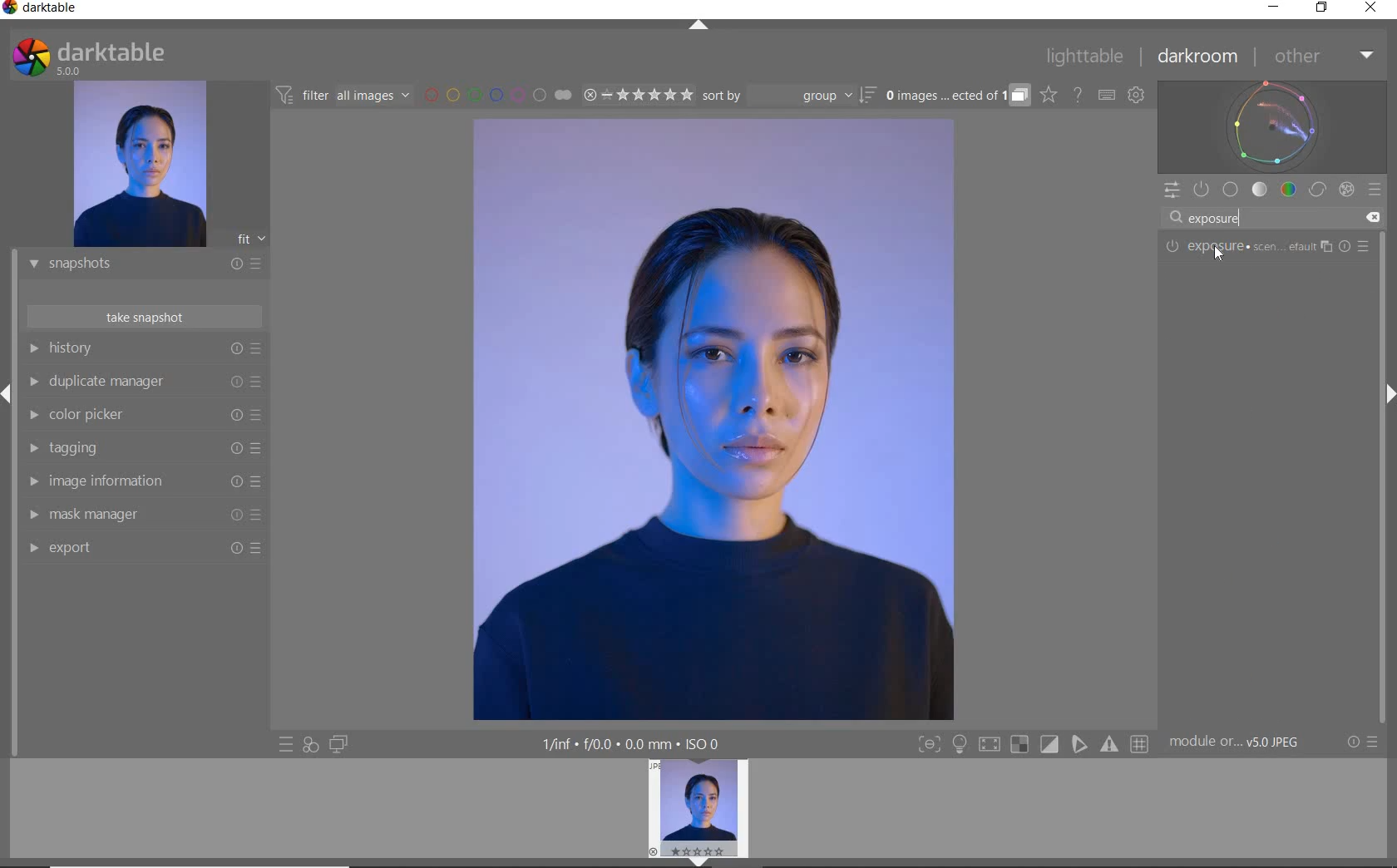  What do you see at coordinates (696, 806) in the screenshot?
I see `IMAGE PREVIEW` at bounding box center [696, 806].